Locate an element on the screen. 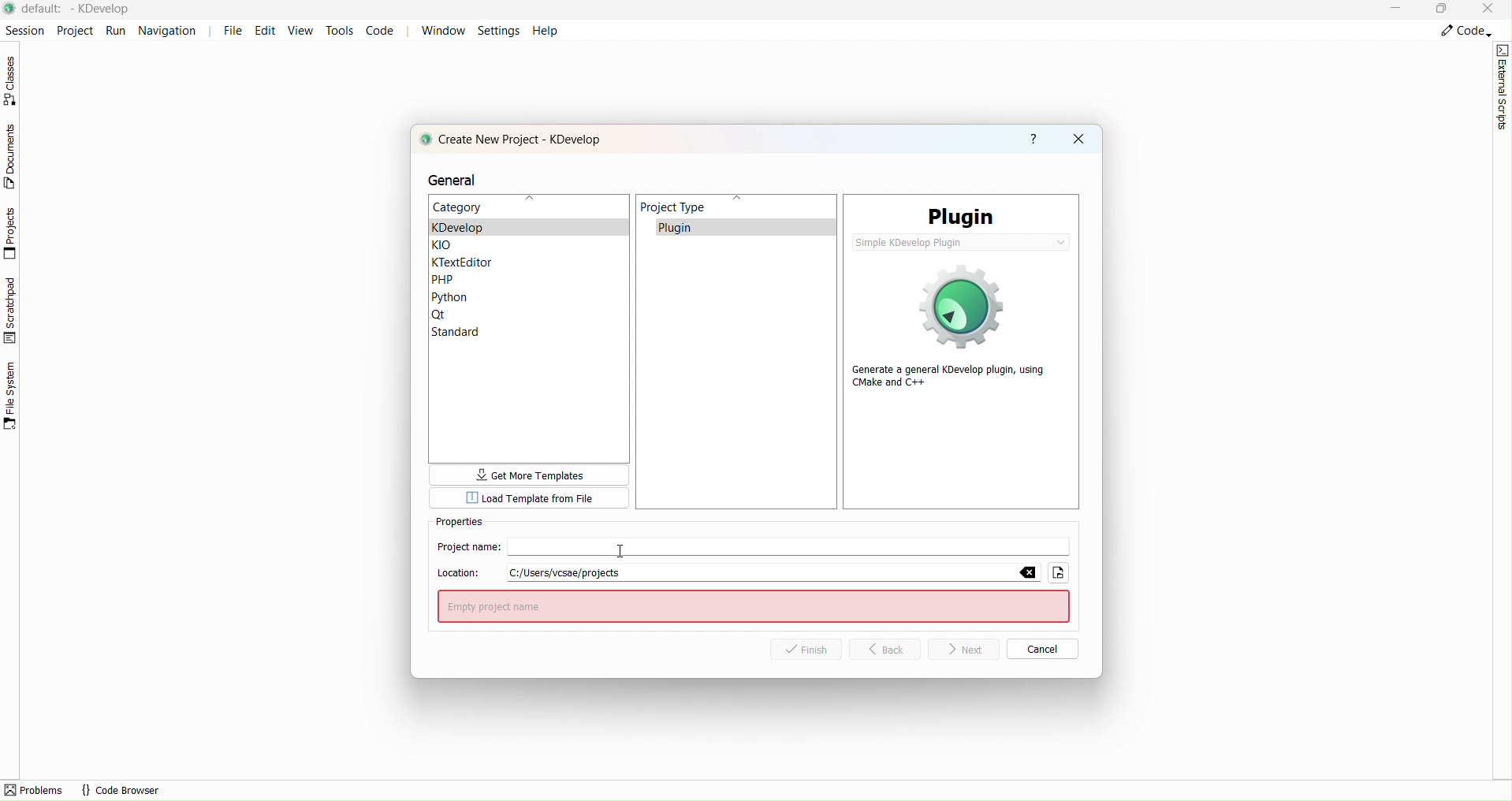 This screenshot has width=1512, height=801. Standar is located at coordinates (465, 333).